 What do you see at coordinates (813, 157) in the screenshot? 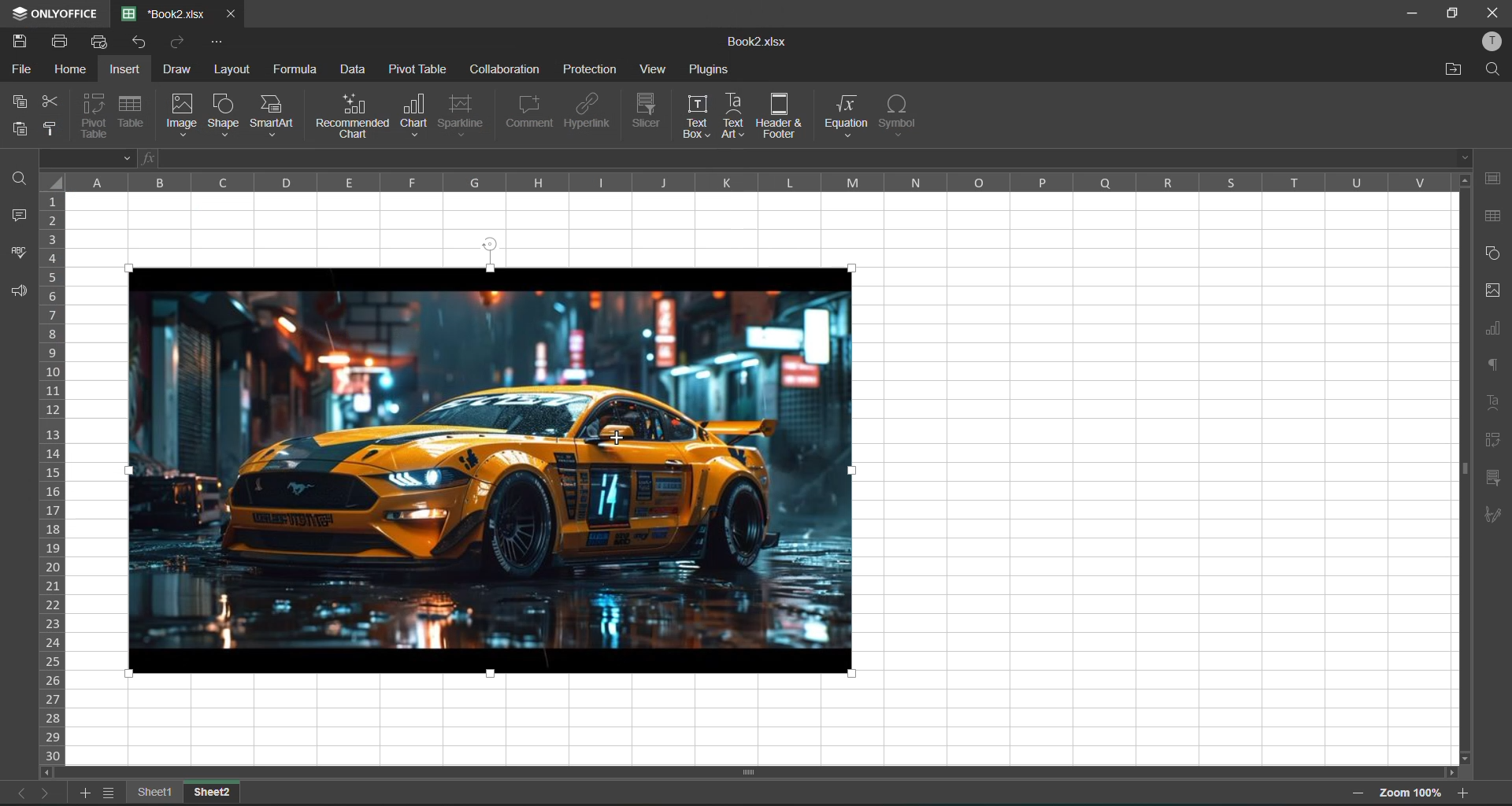
I see `formula bar` at bounding box center [813, 157].